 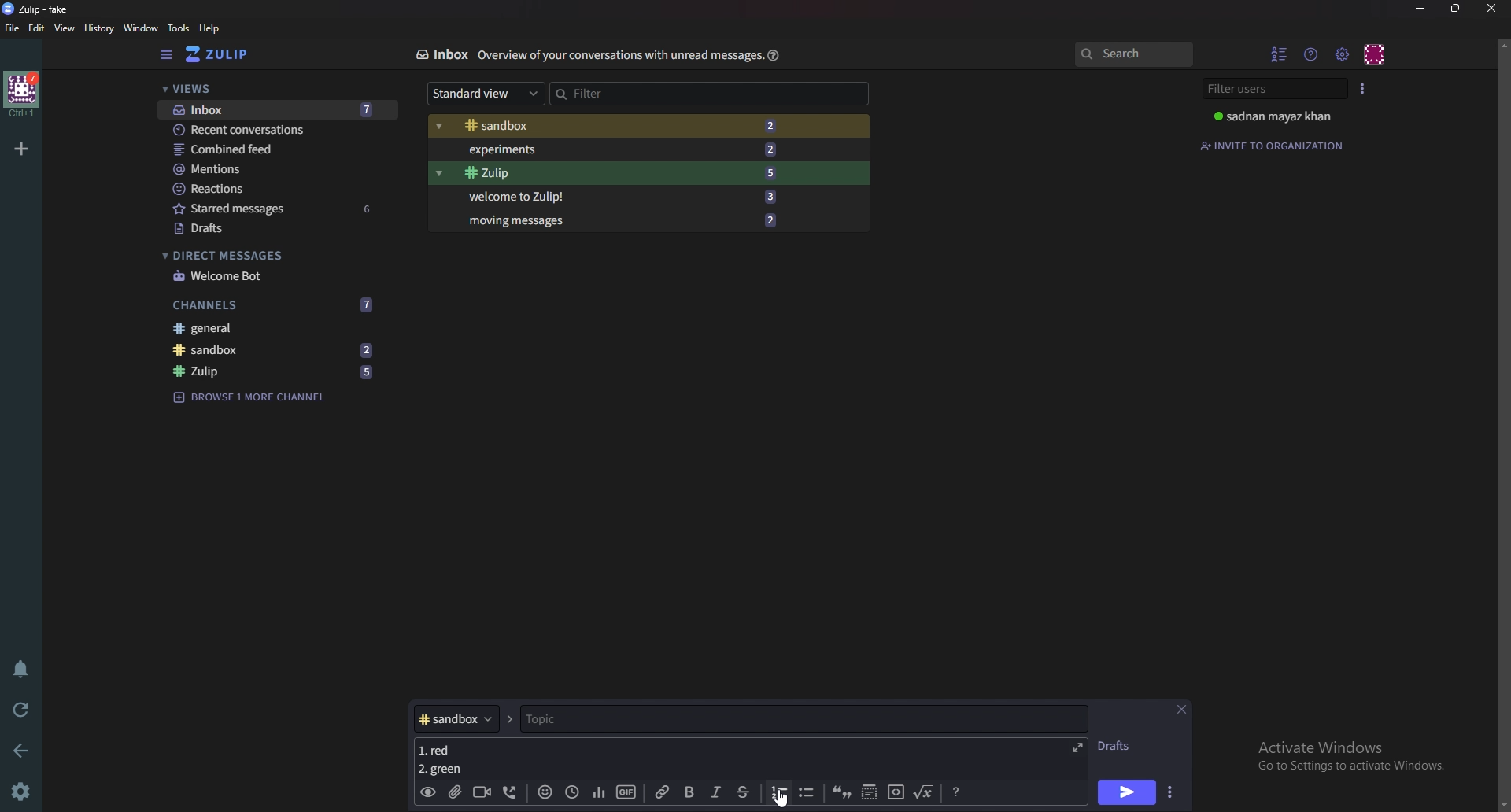 What do you see at coordinates (895, 794) in the screenshot?
I see `code` at bounding box center [895, 794].